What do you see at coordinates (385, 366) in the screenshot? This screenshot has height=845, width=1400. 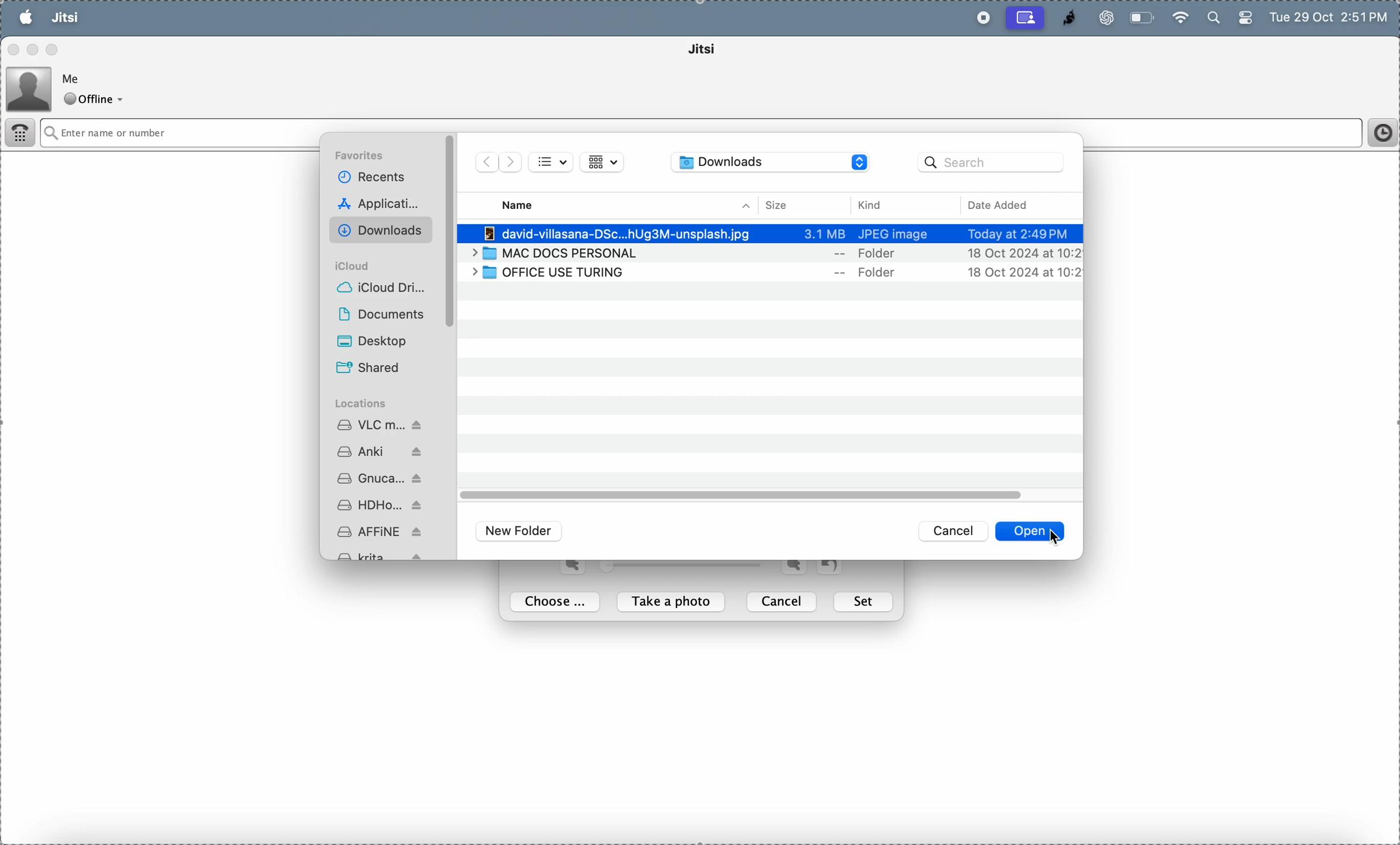 I see `shared` at bounding box center [385, 366].